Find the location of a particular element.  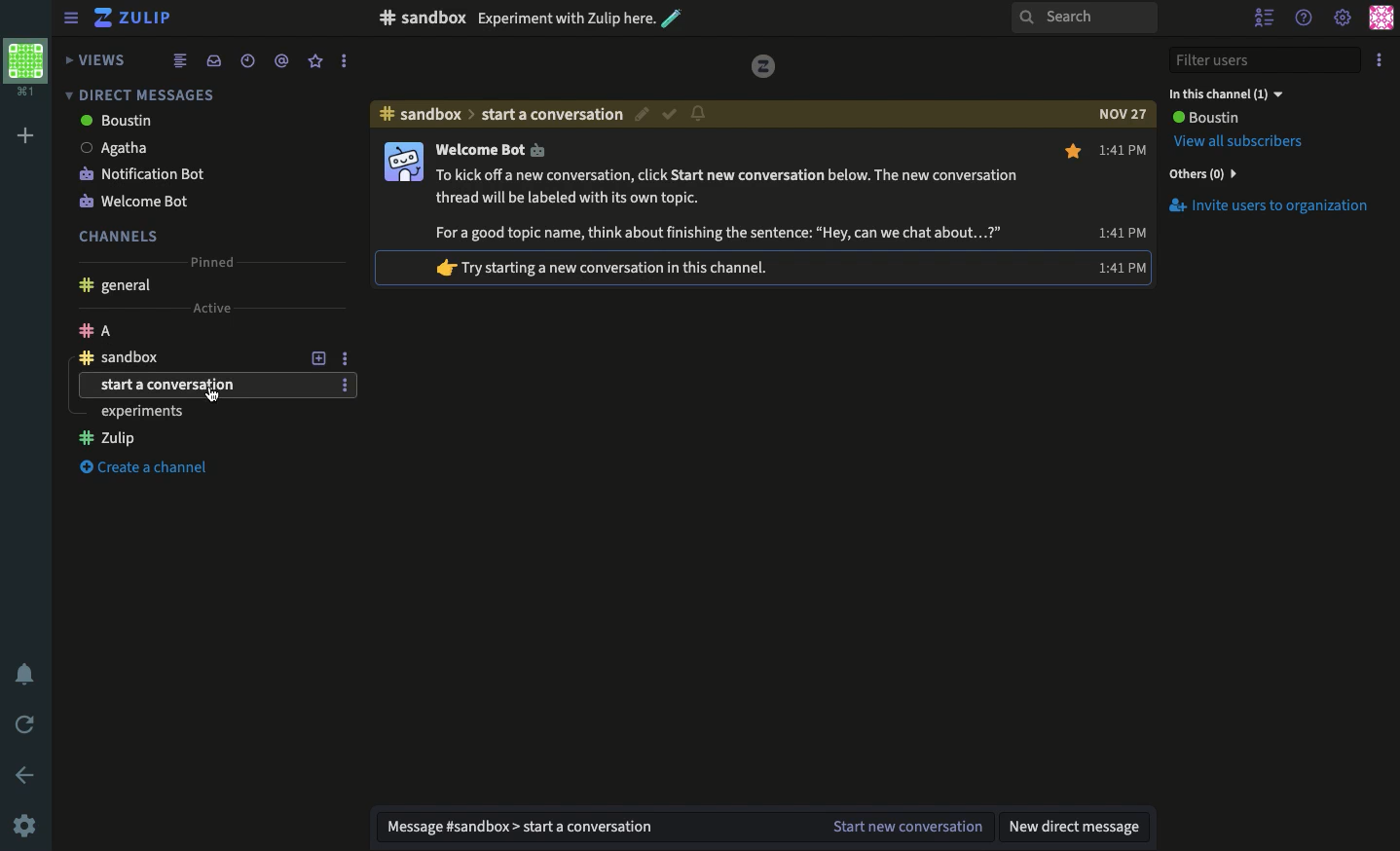

Resolved is located at coordinates (670, 115).